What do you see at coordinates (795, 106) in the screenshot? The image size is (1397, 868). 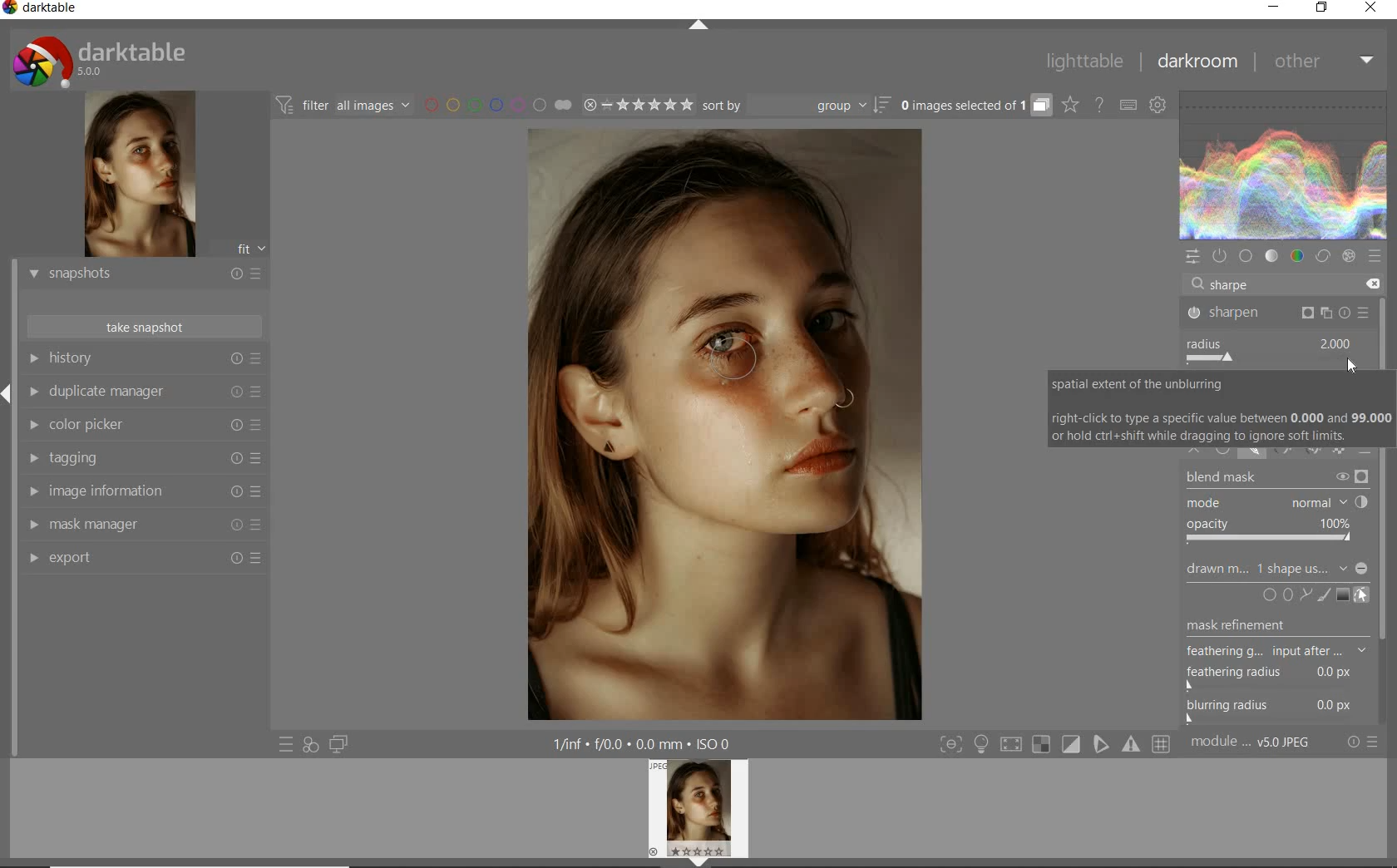 I see `sort` at bounding box center [795, 106].